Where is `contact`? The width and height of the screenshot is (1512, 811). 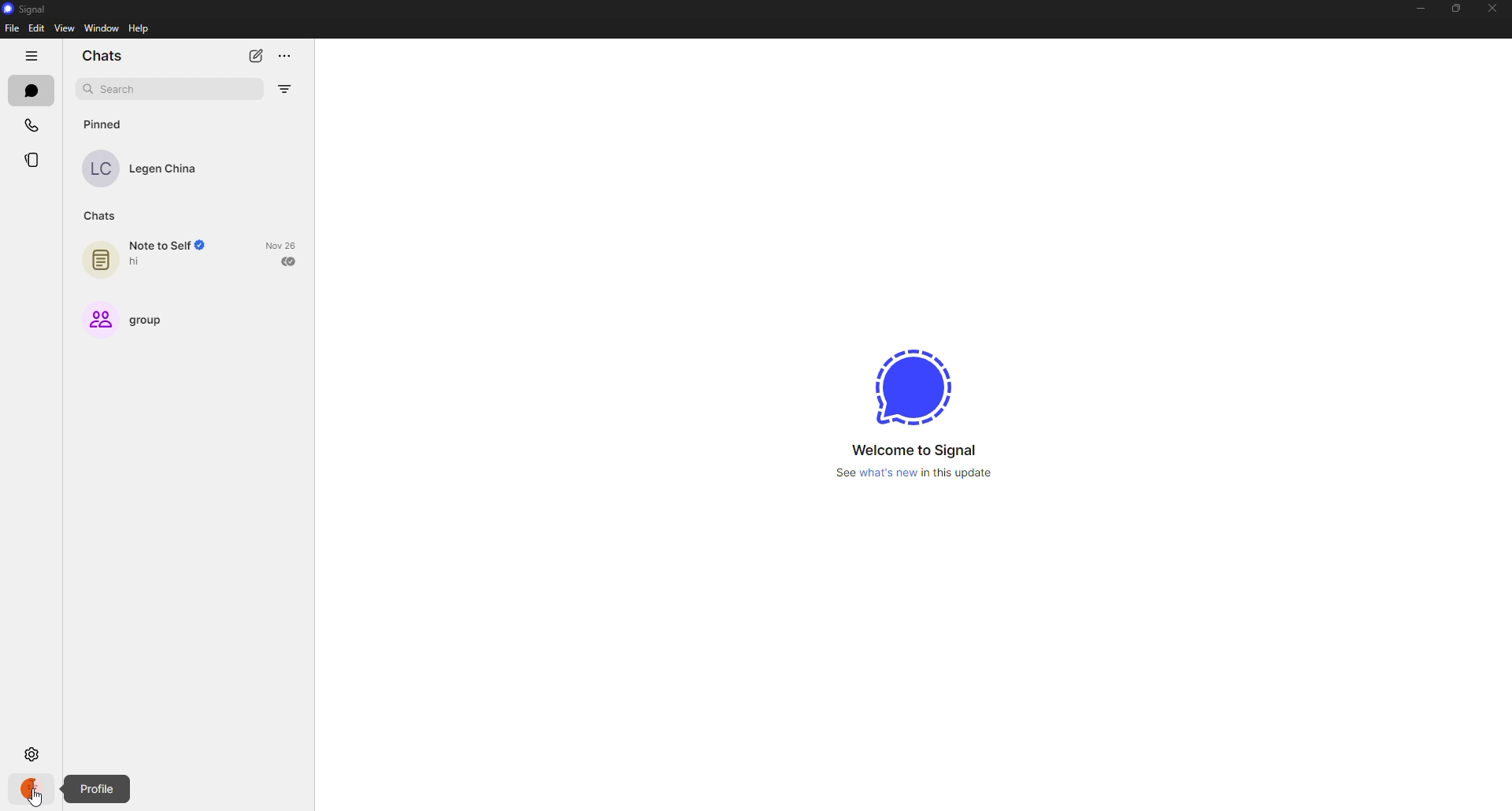
contact is located at coordinates (144, 168).